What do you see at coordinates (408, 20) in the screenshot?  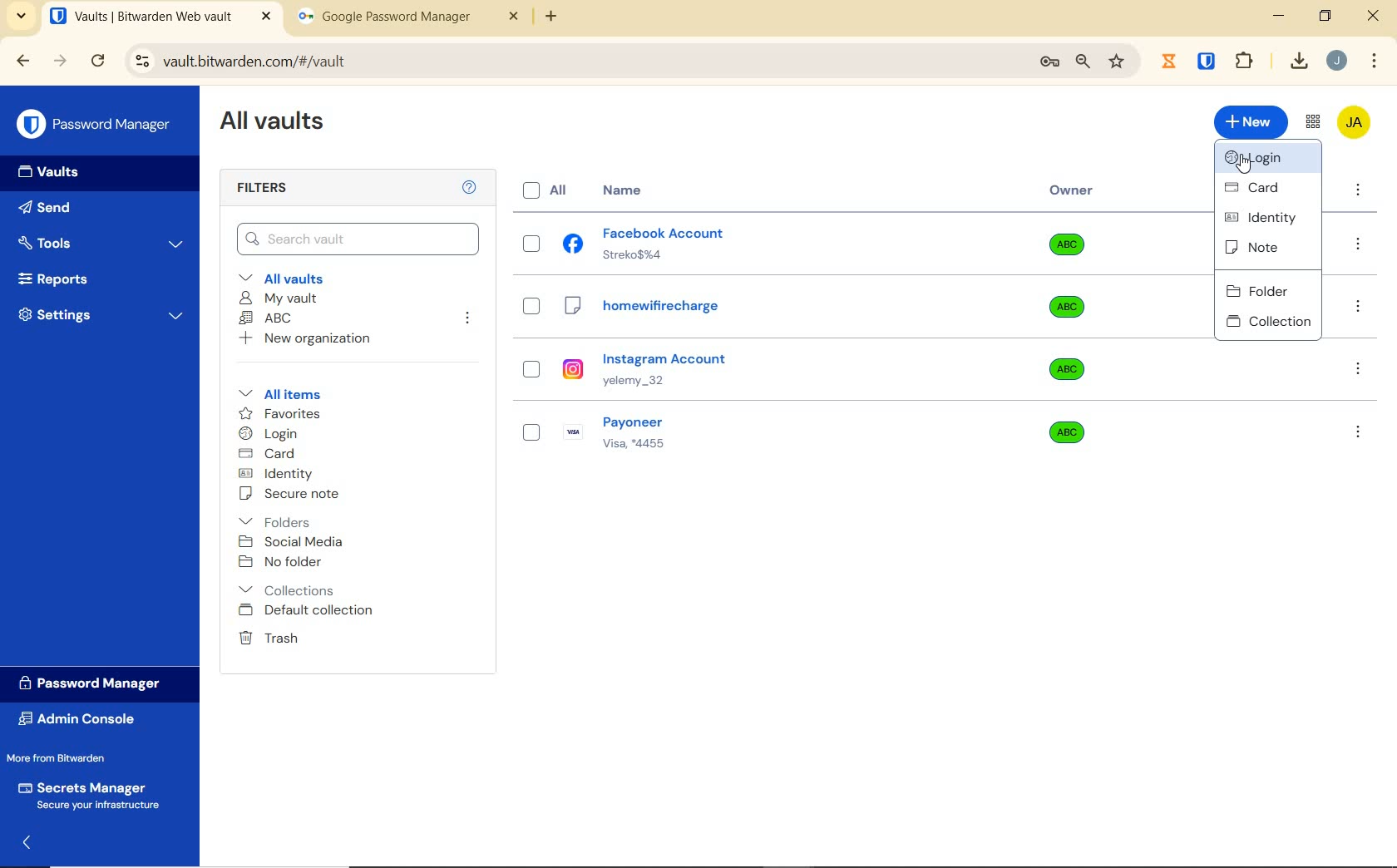 I see `tab` at bounding box center [408, 20].